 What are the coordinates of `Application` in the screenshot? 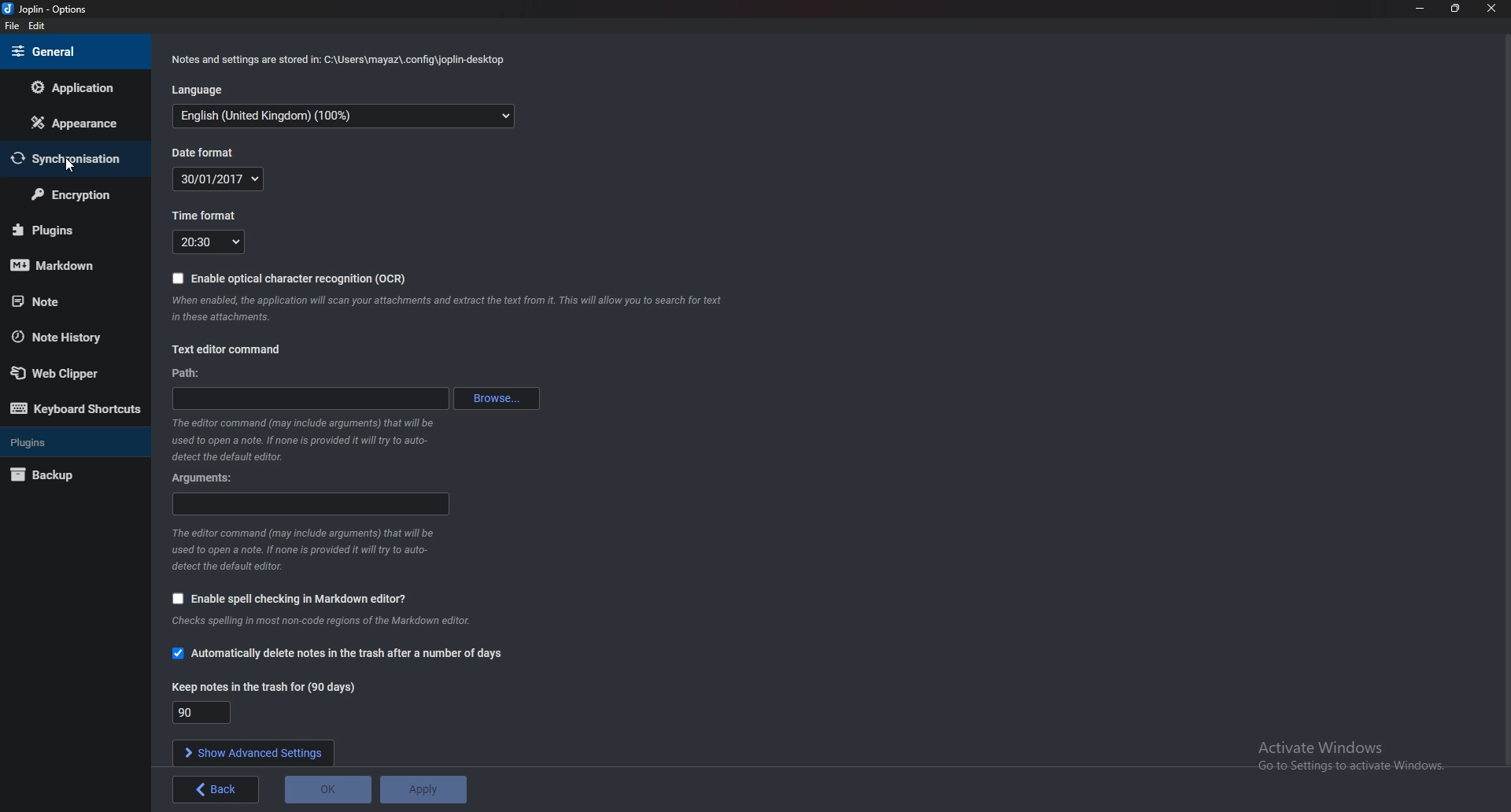 It's located at (81, 88).